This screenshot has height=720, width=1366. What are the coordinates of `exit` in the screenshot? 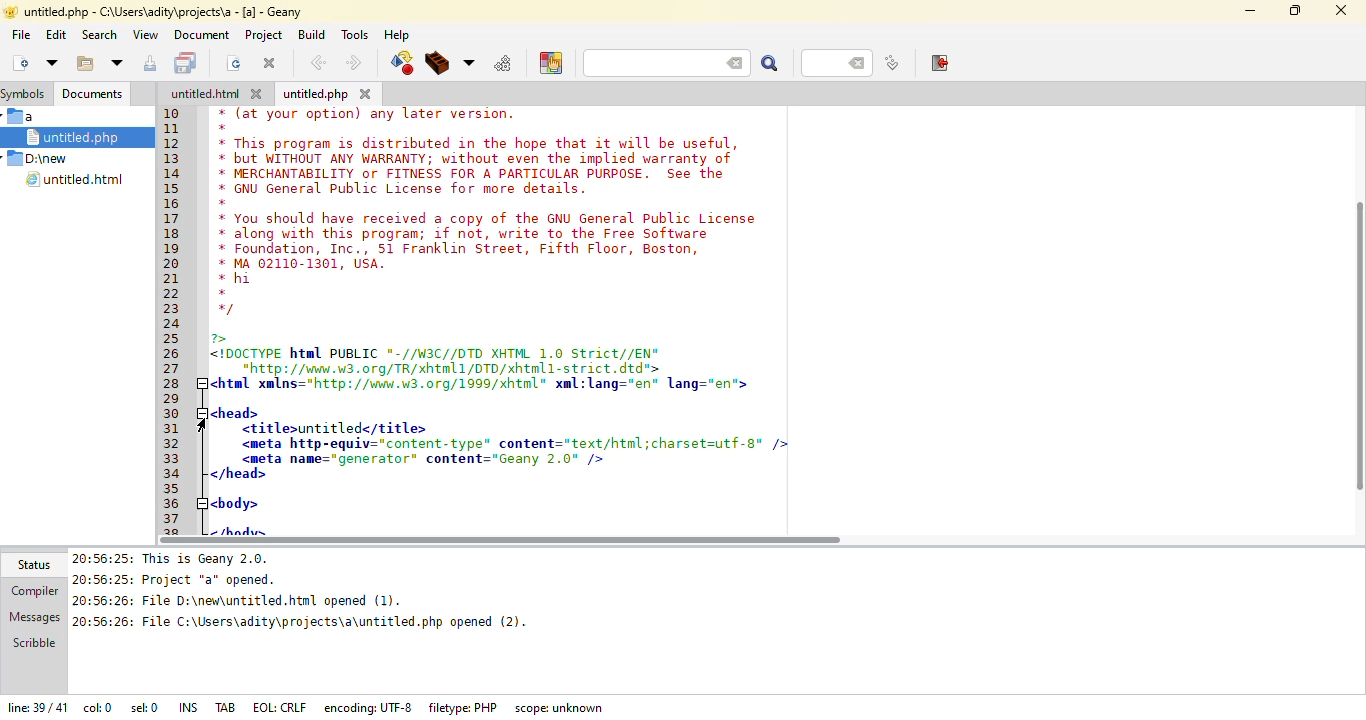 It's located at (941, 64).